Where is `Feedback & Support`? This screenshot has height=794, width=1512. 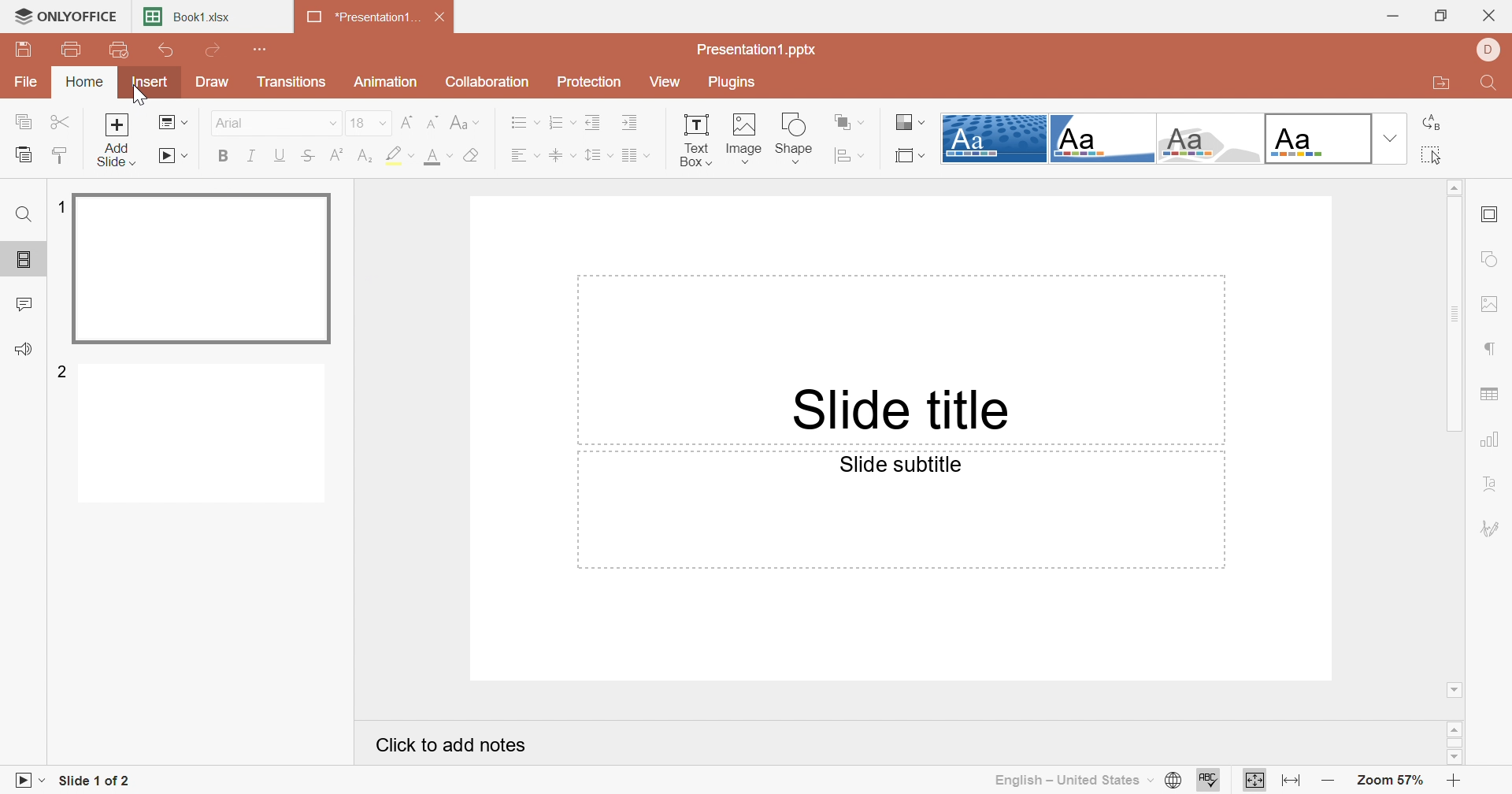 Feedback & Support is located at coordinates (27, 351).